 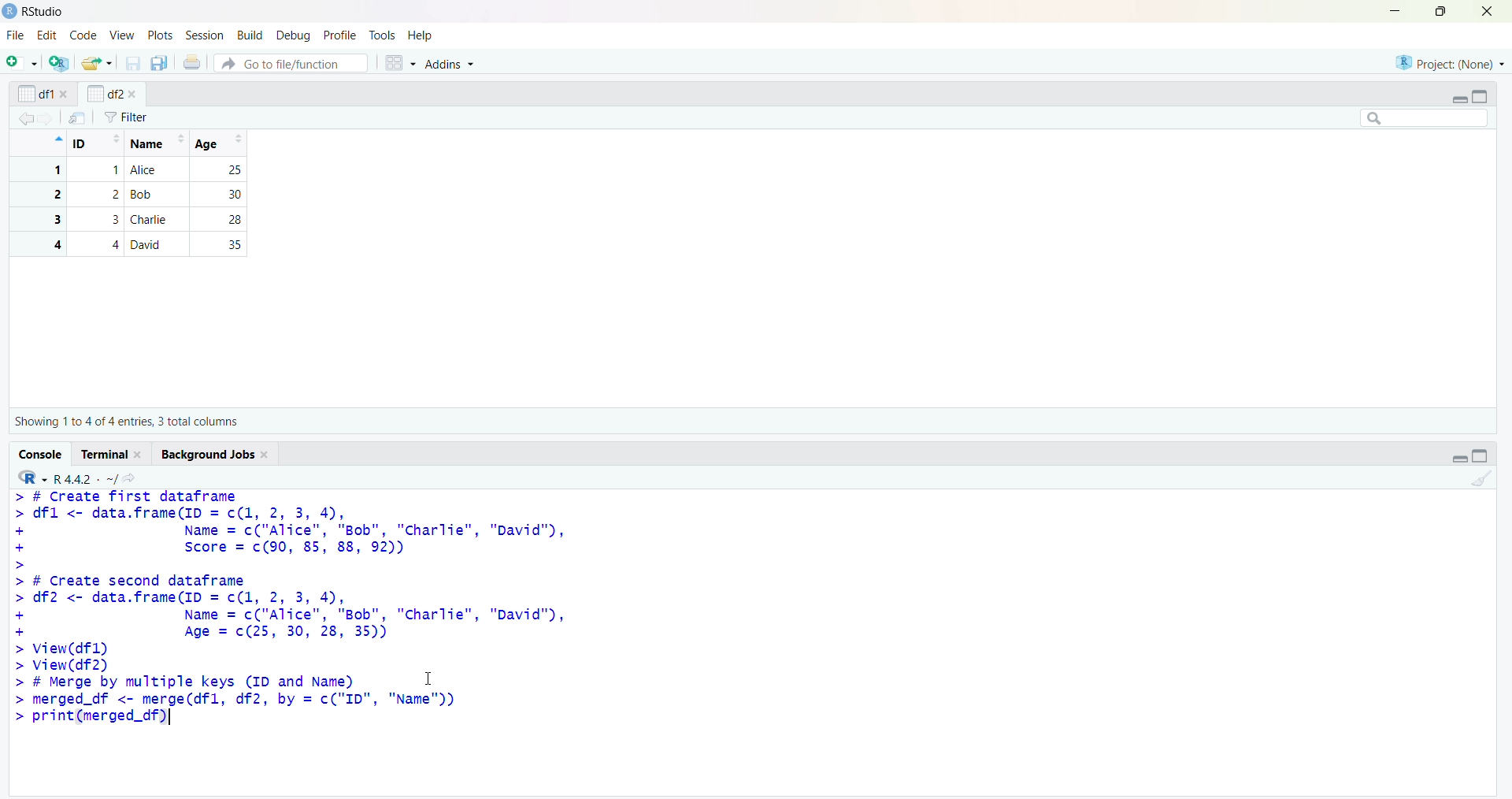 I want to click on add file as, so click(x=25, y=62).